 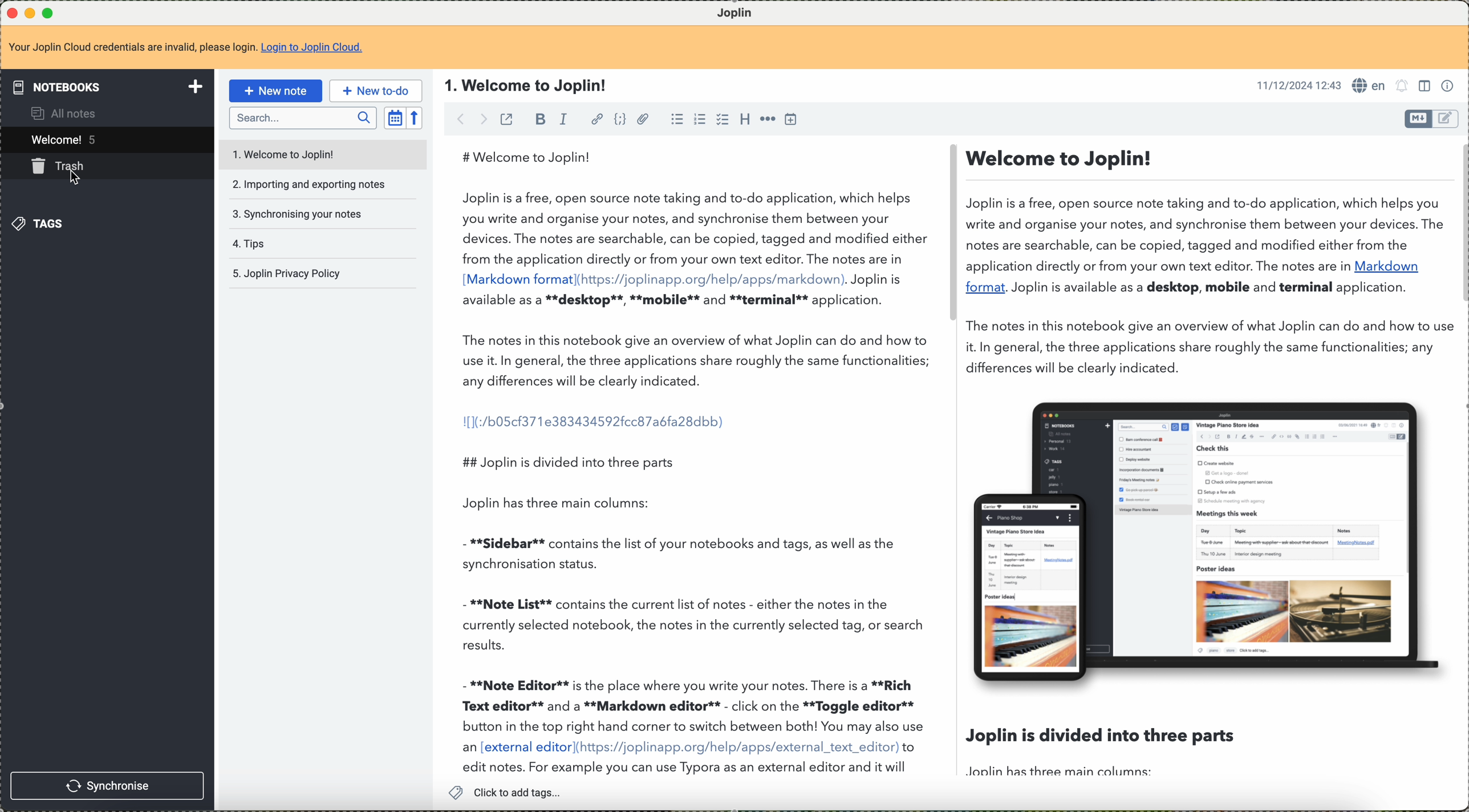 I want to click on minimize program, so click(x=30, y=11).